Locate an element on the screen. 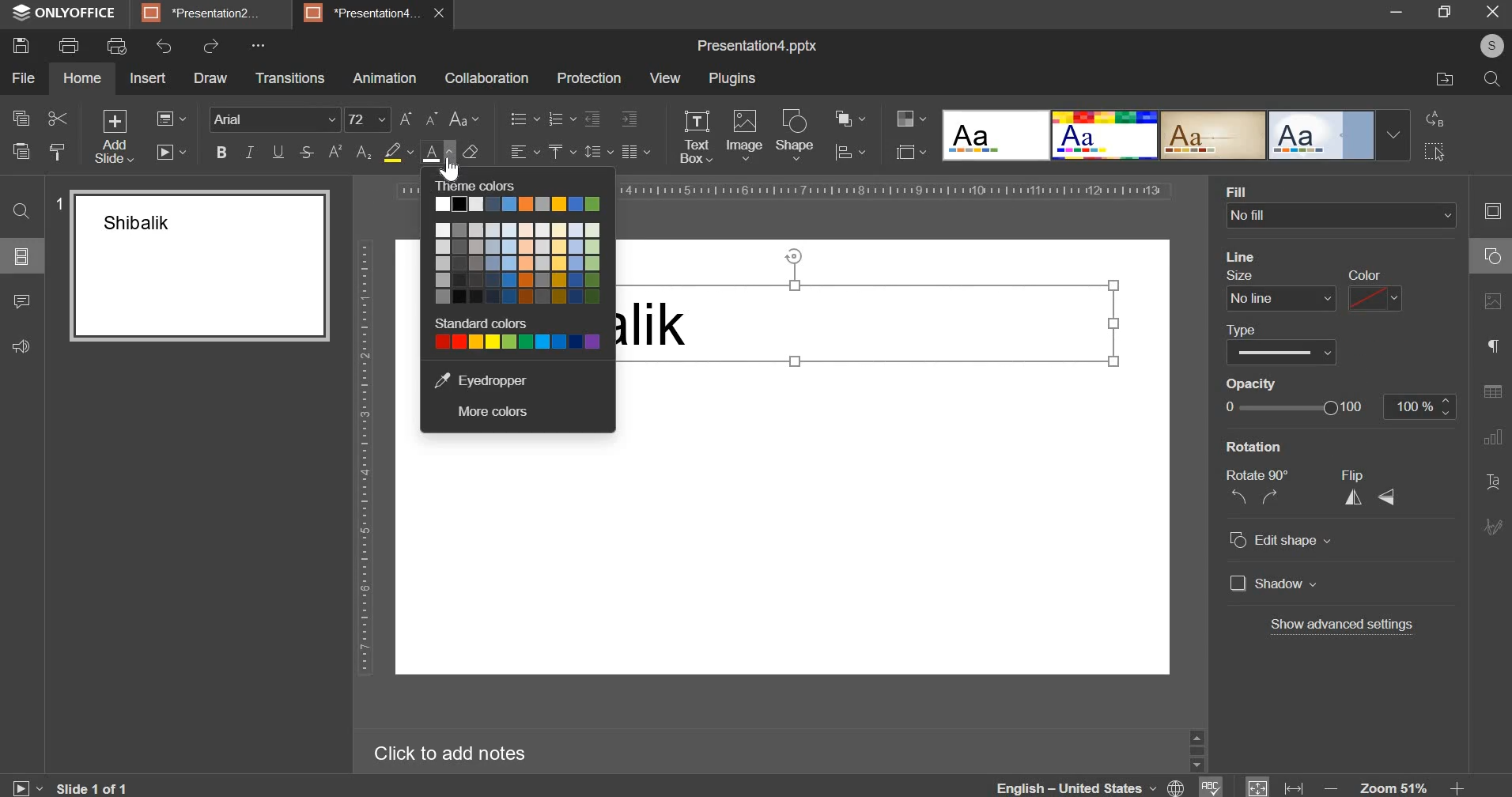 This screenshot has height=797, width=1512. zoom level is located at coordinates (1393, 784).